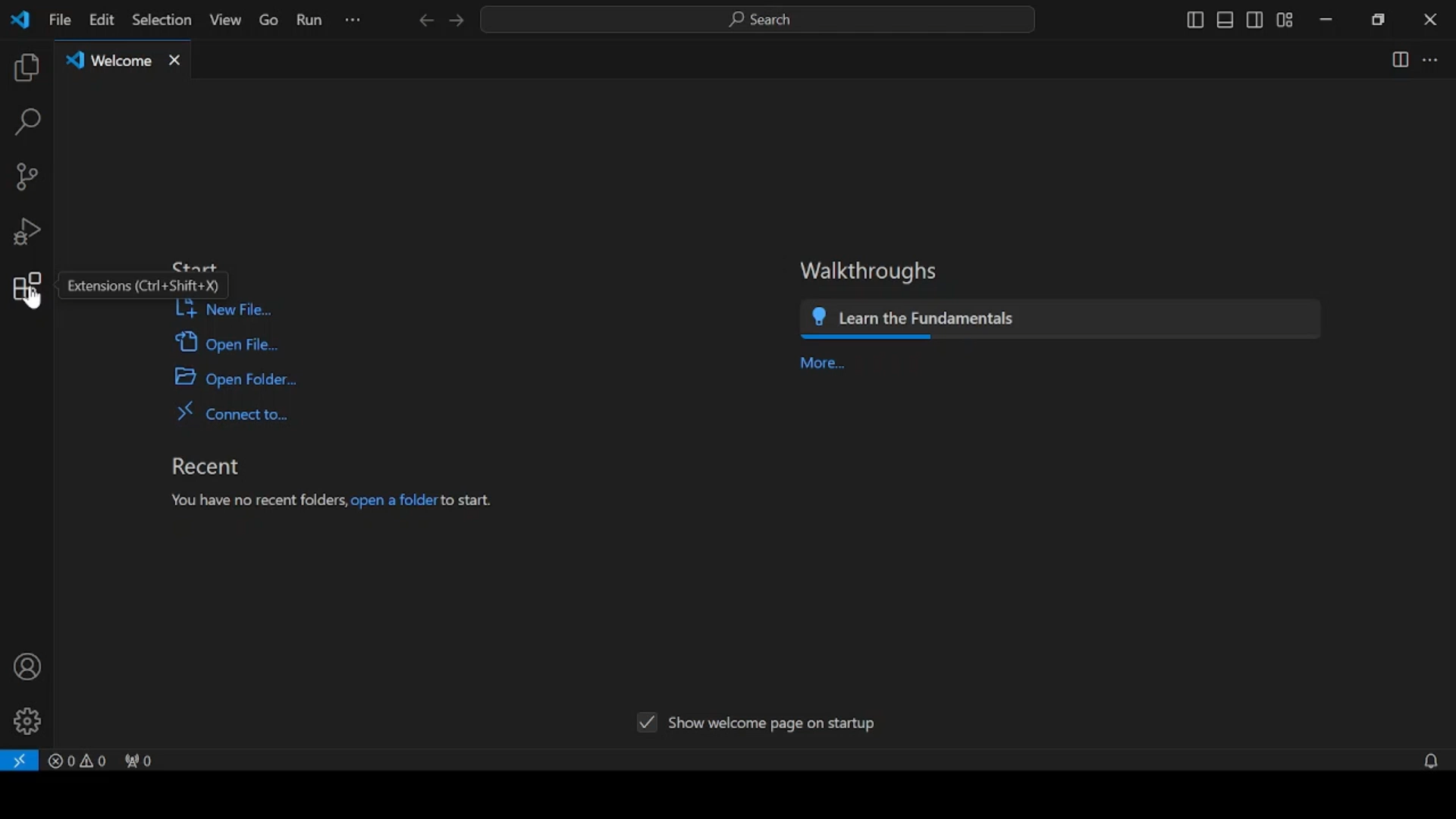 The height and width of the screenshot is (819, 1456). Describe the element at coordinates (823, 363) in the screenshot. I see `more` at that location.